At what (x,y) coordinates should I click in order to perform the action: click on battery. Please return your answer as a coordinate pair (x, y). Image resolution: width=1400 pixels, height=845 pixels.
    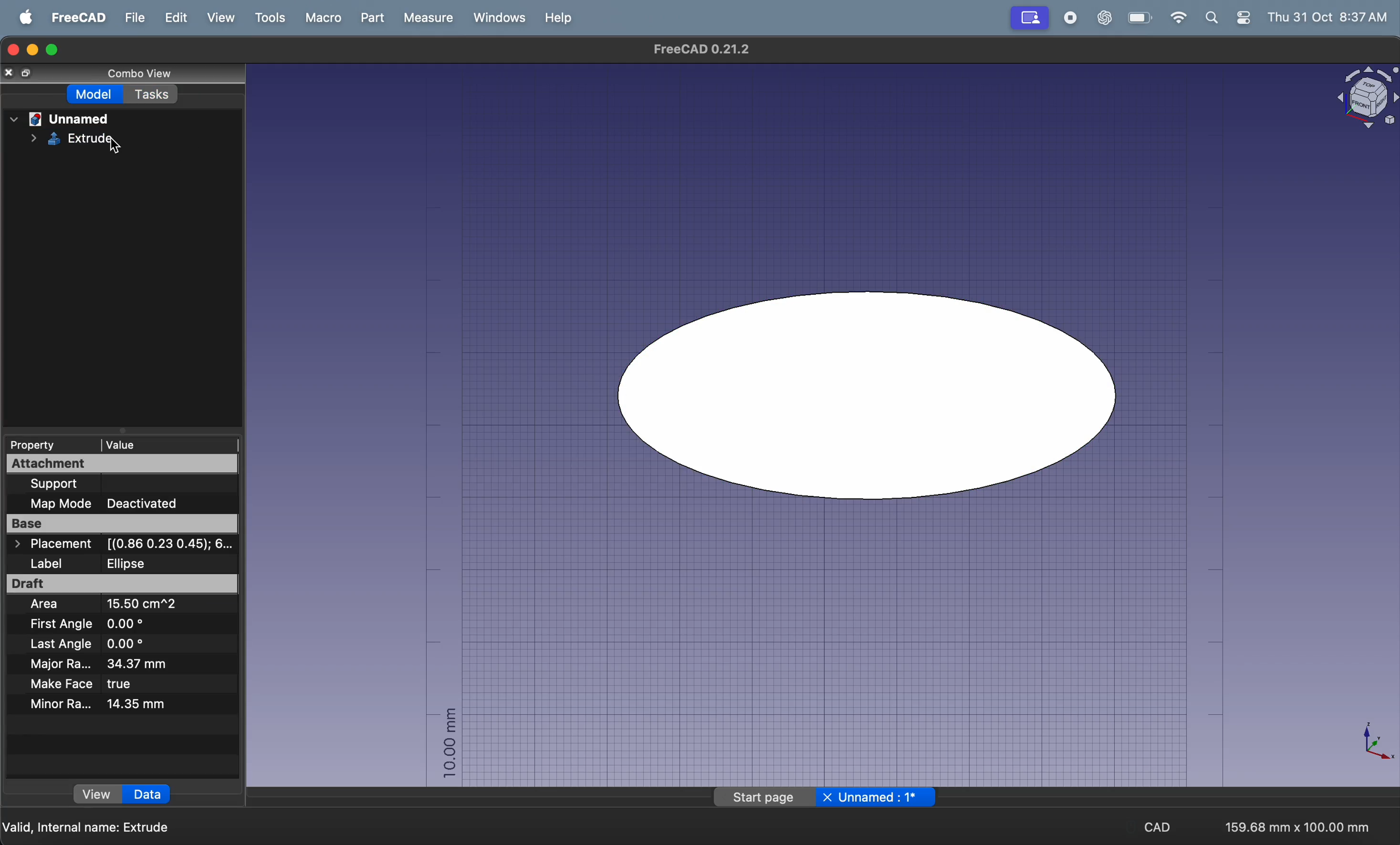
    Looking at the image, I should click on (1138, 18).